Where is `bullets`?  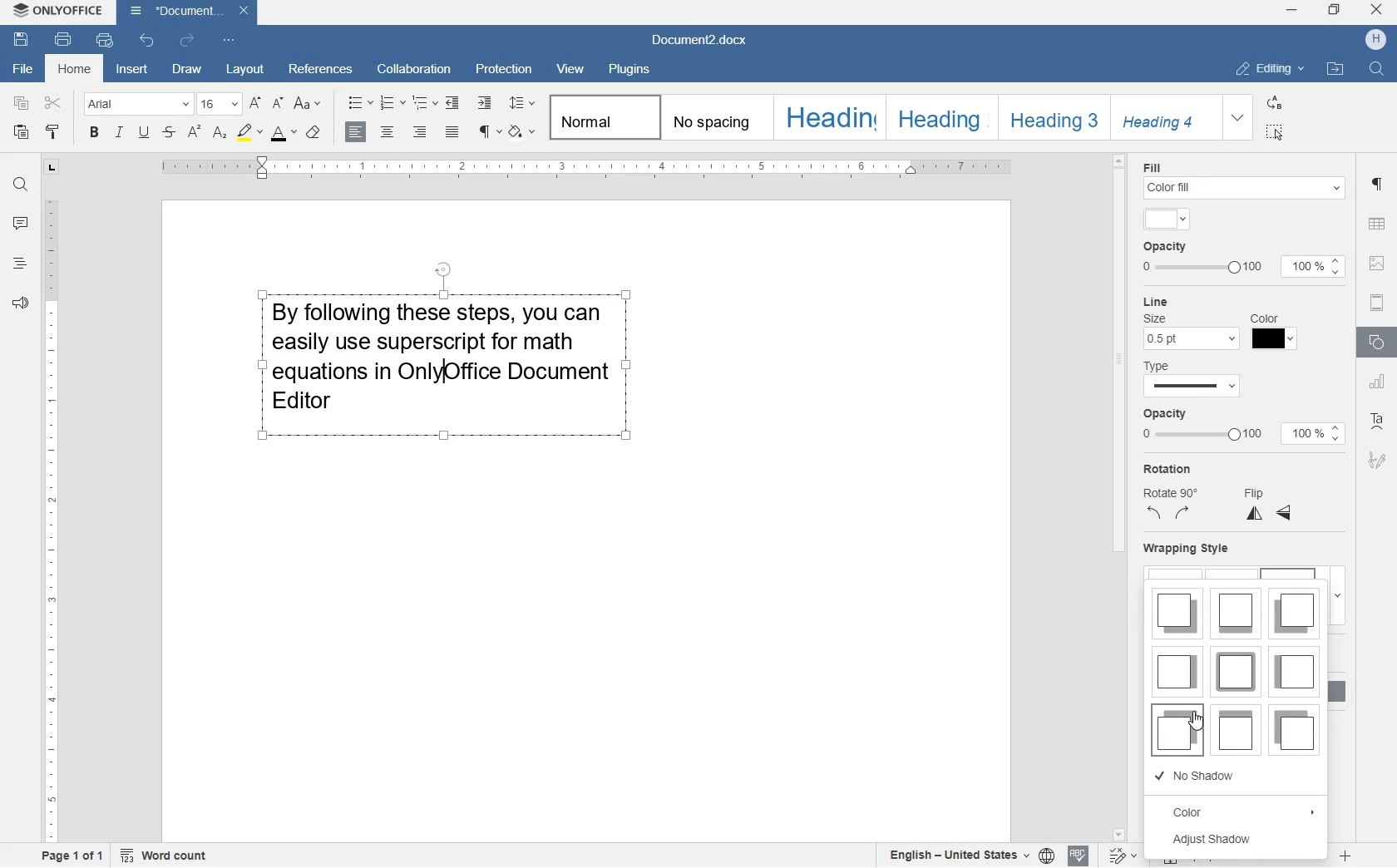 bullets is located at coordinates (361, 103).